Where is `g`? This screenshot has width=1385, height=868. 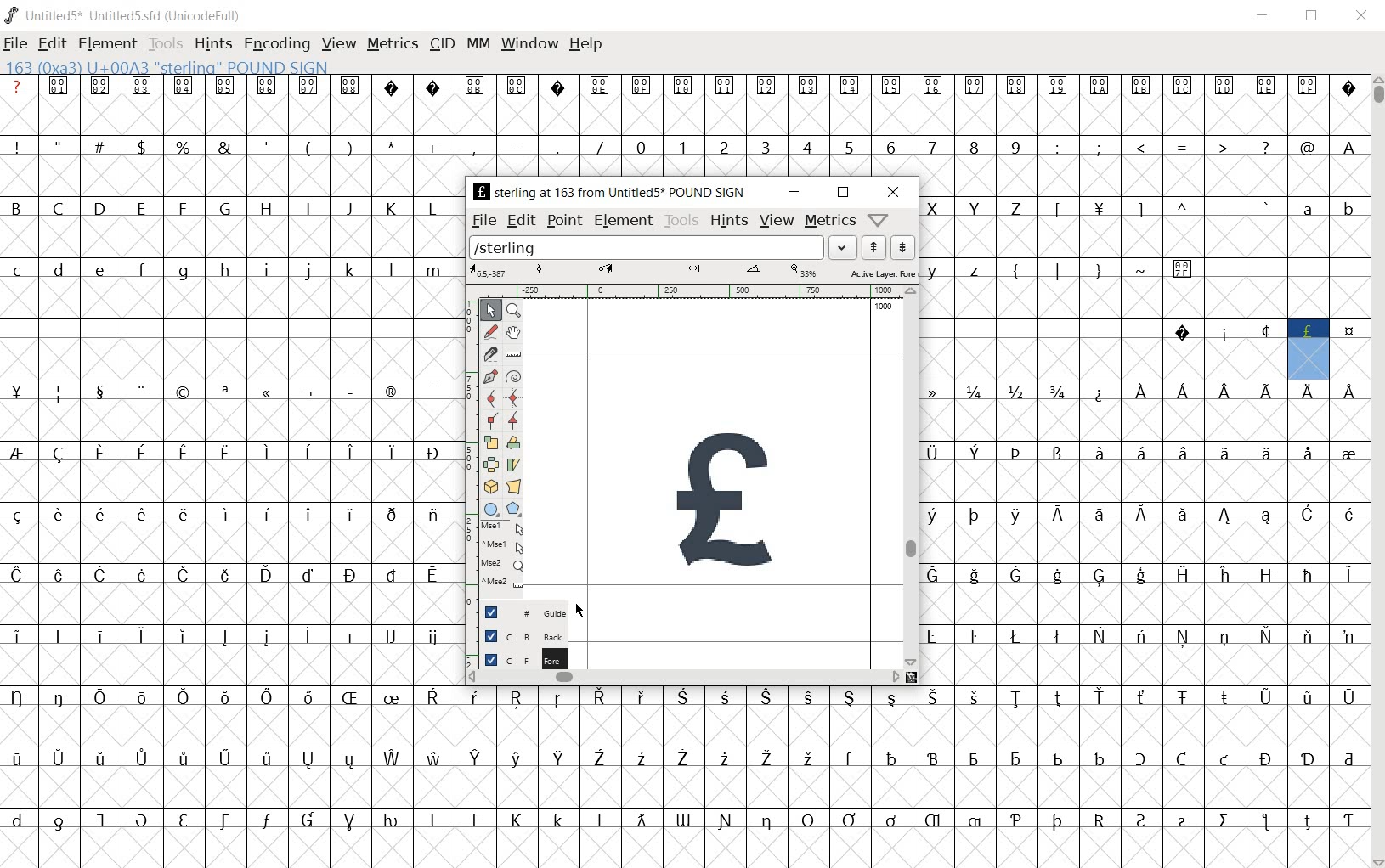 g is located at coordinates (183, 271).